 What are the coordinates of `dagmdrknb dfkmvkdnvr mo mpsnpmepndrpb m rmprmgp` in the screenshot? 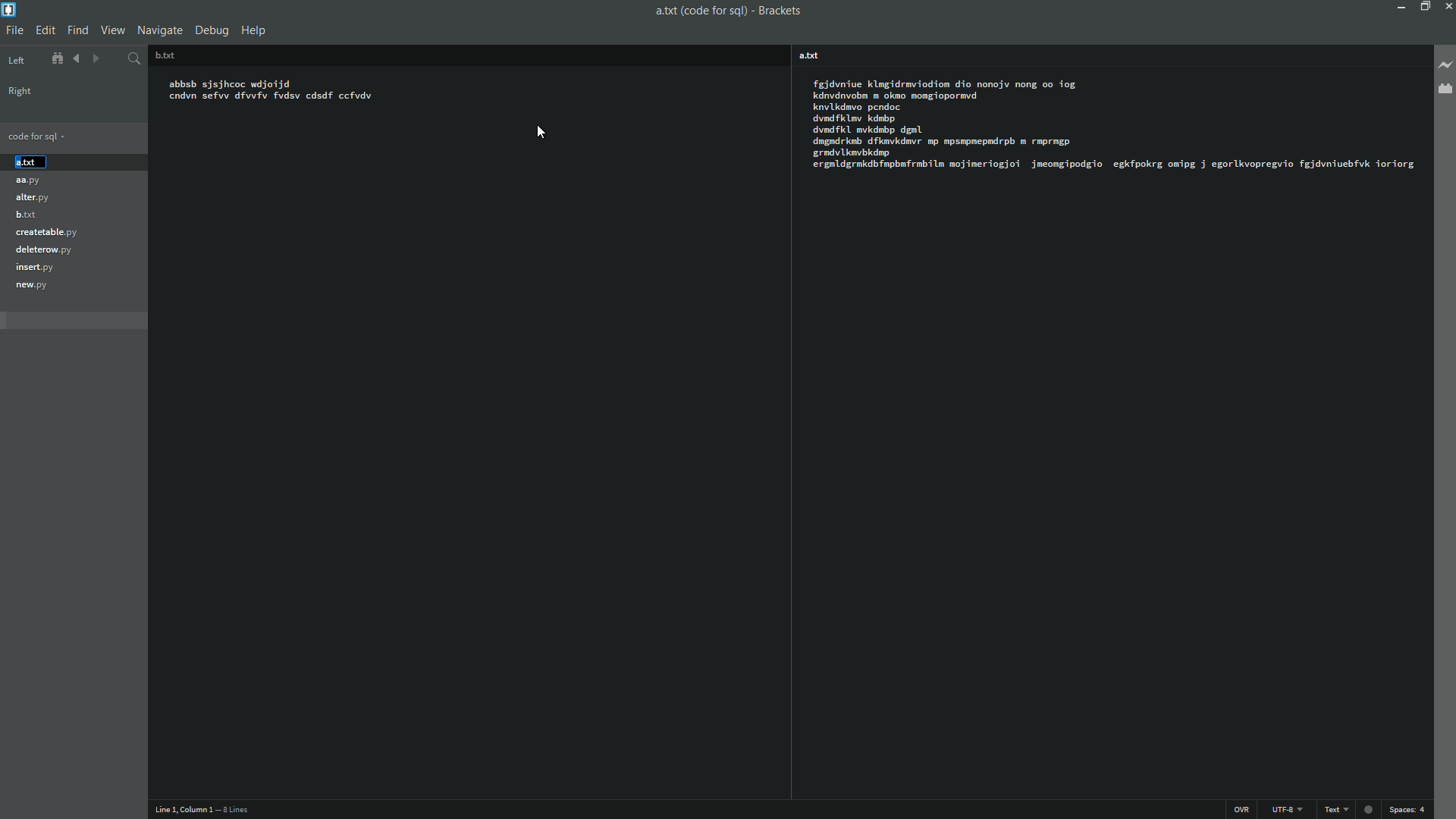 It's located at (942, 140).